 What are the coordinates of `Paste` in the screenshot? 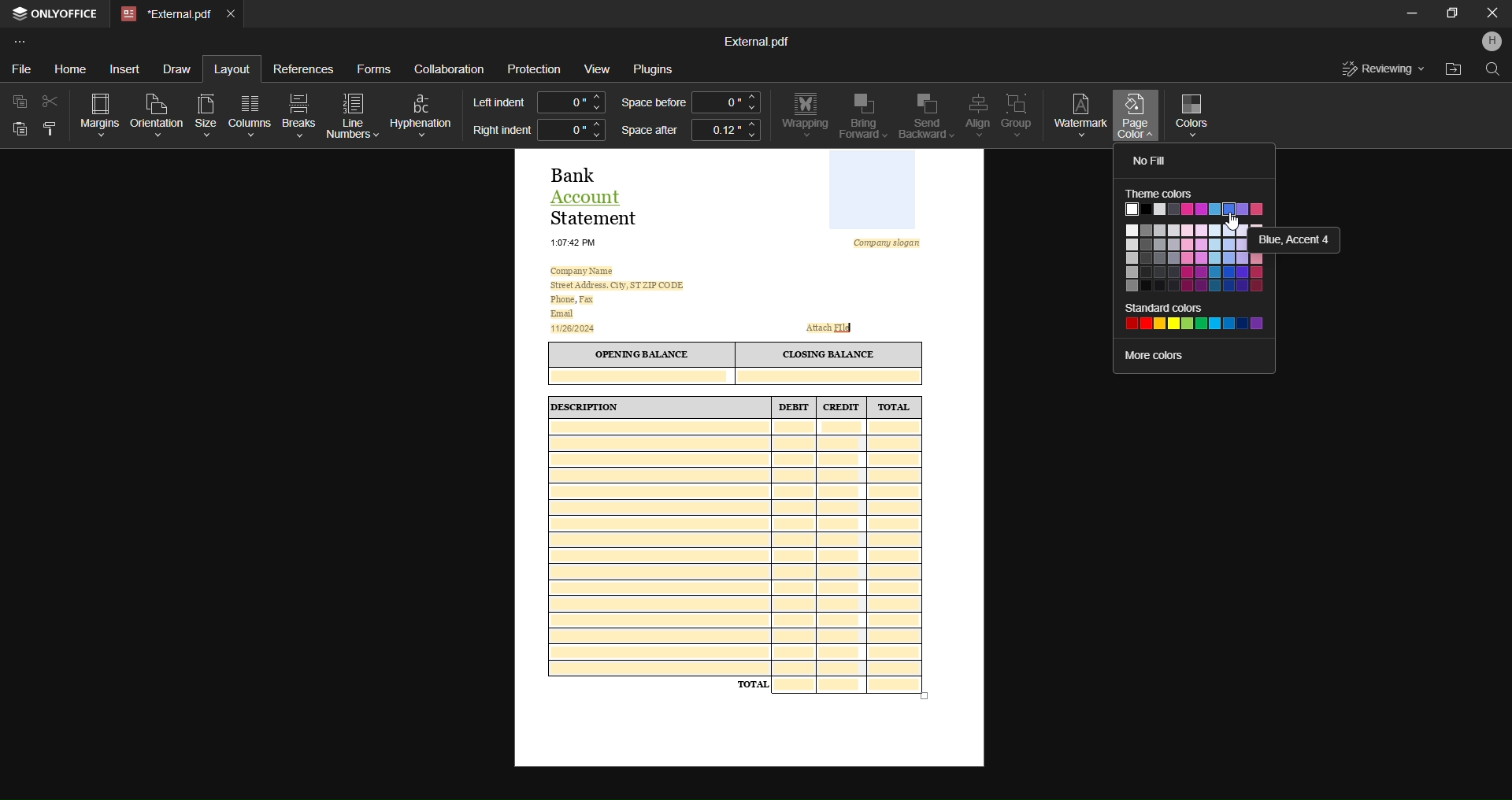 It's located at (19, 131).